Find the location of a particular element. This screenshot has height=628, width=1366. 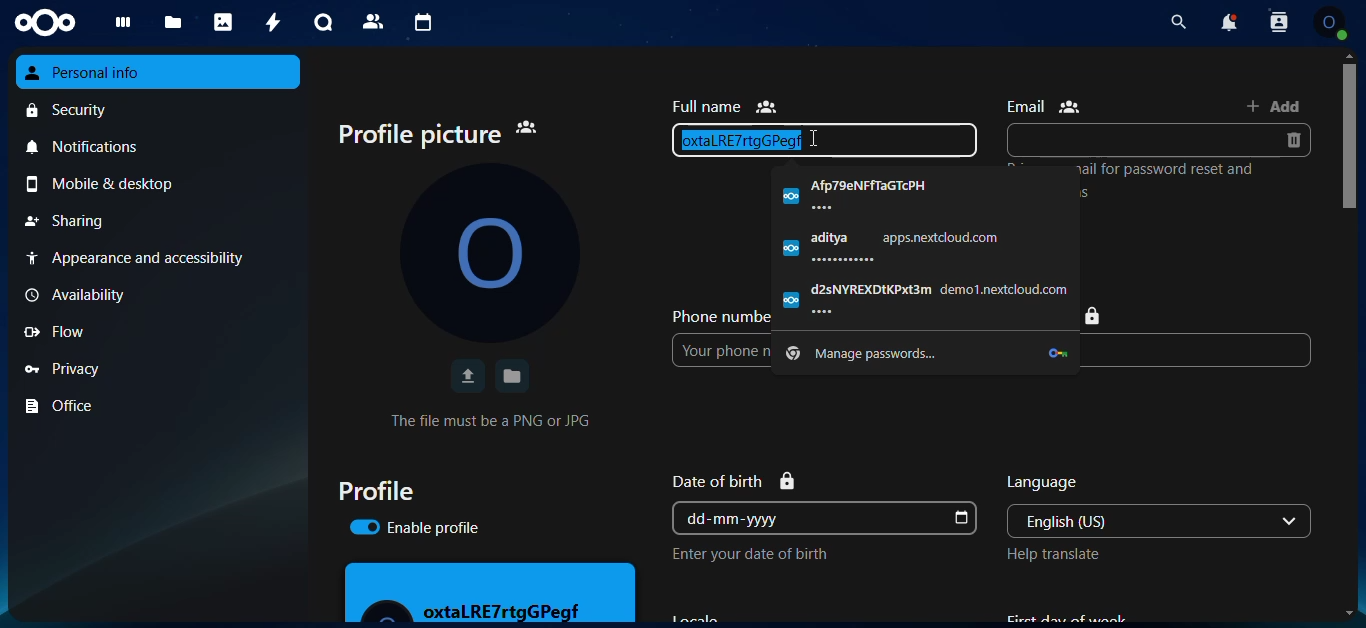

delete is located at coordinates (1292, 140).